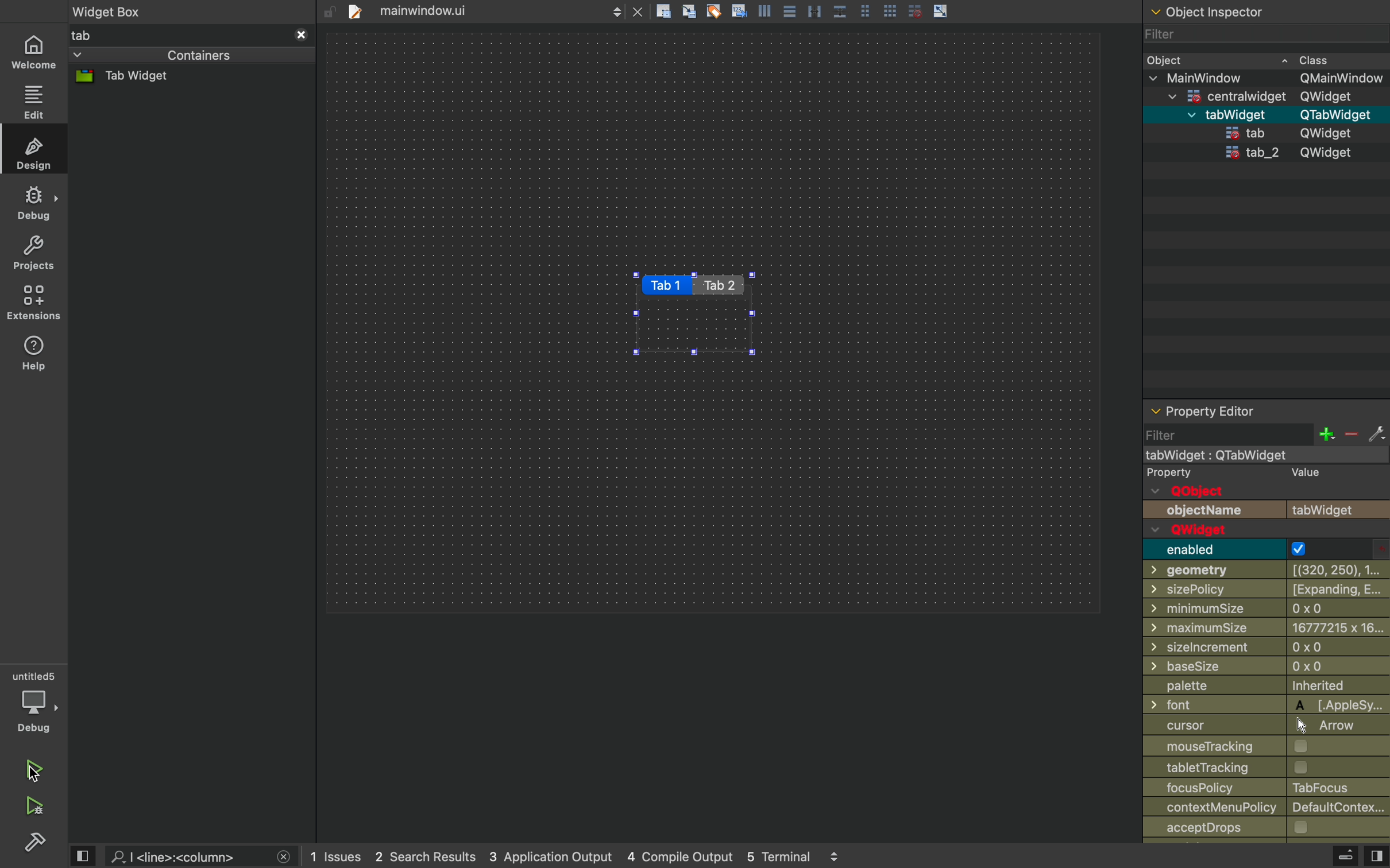  I want to click on filter, so click(1253, 34).